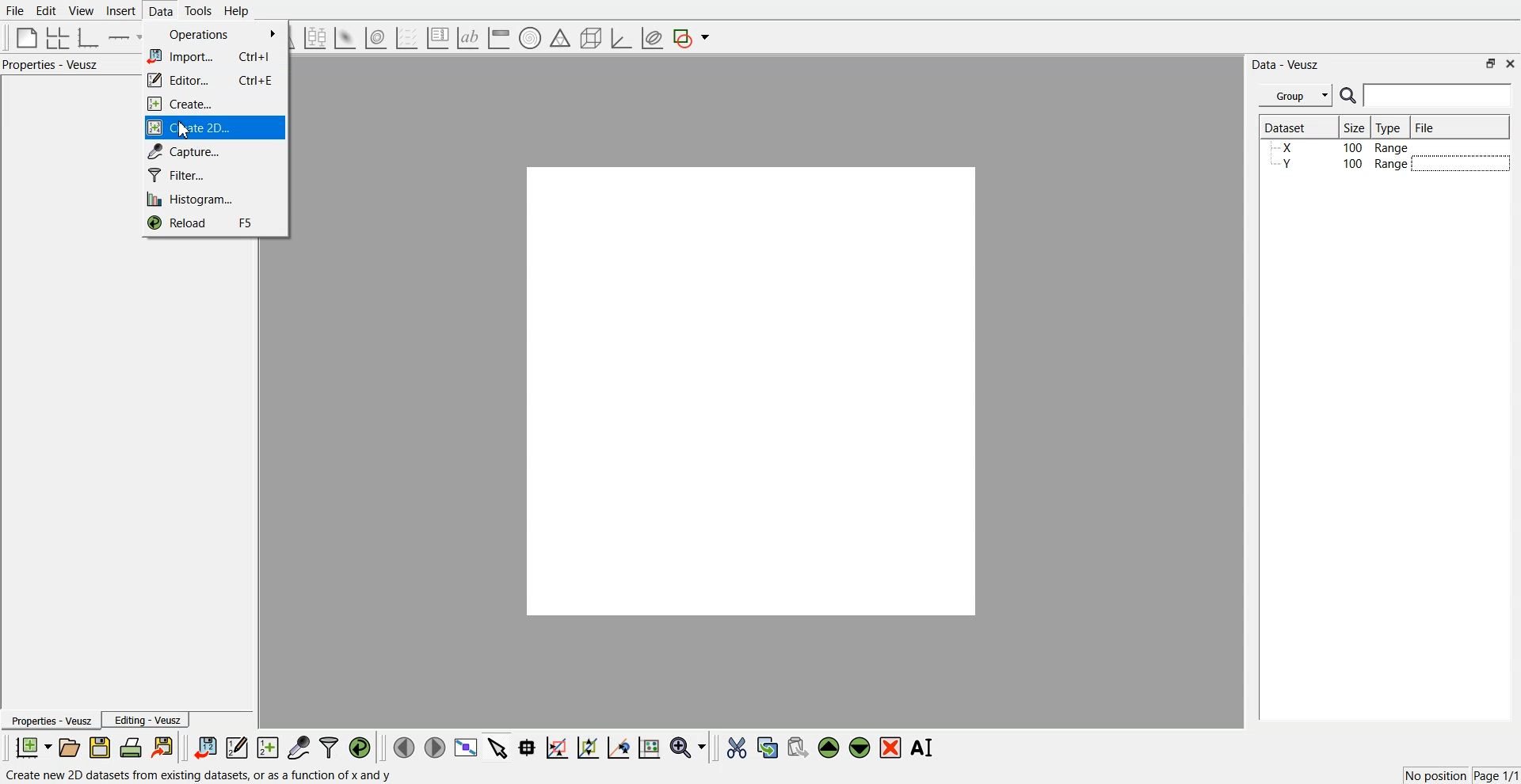 The image size is (1521, 784). I want to click on View plot full screen, so click(467, 747).